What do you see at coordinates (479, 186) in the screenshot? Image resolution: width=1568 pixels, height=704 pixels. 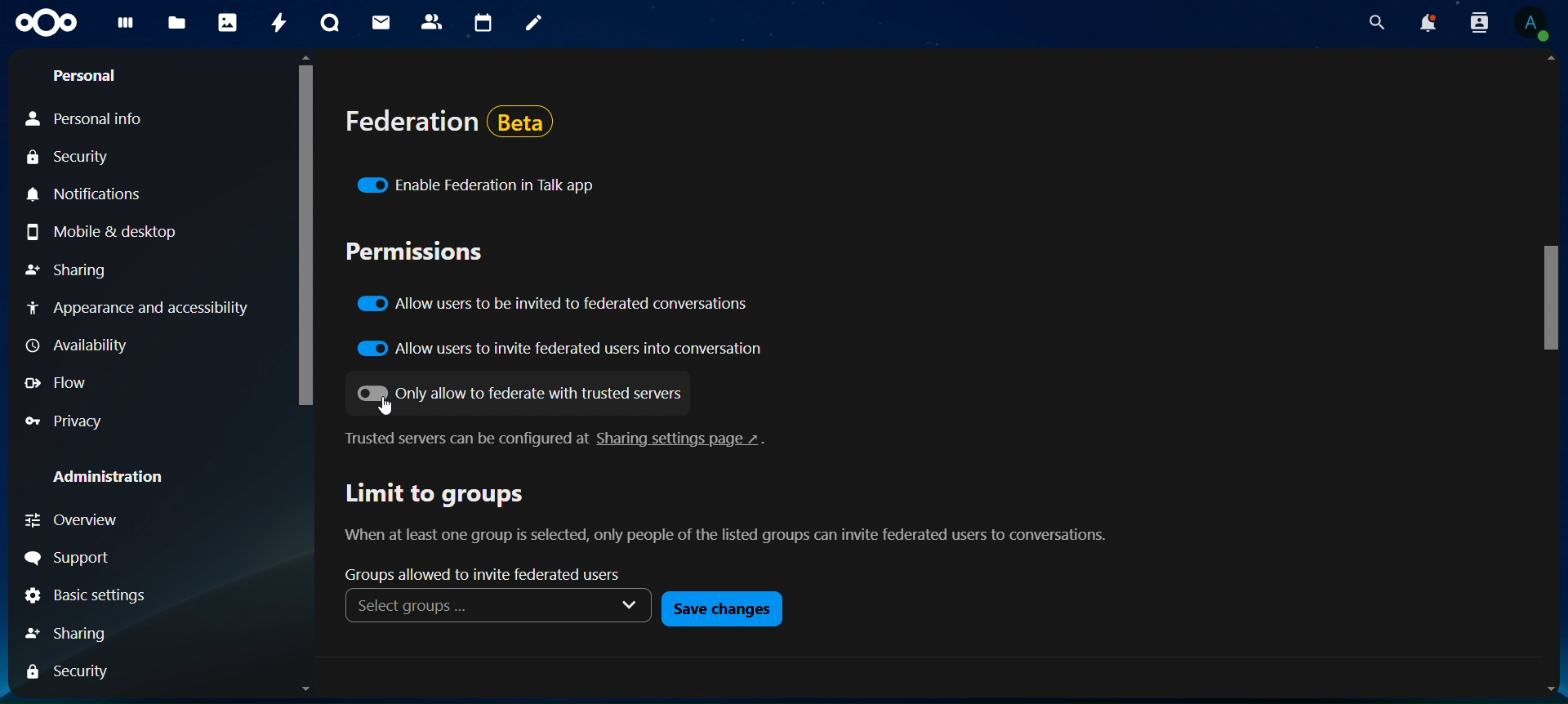 I see `enable federation in talk app` at bounding box center [479, 186].